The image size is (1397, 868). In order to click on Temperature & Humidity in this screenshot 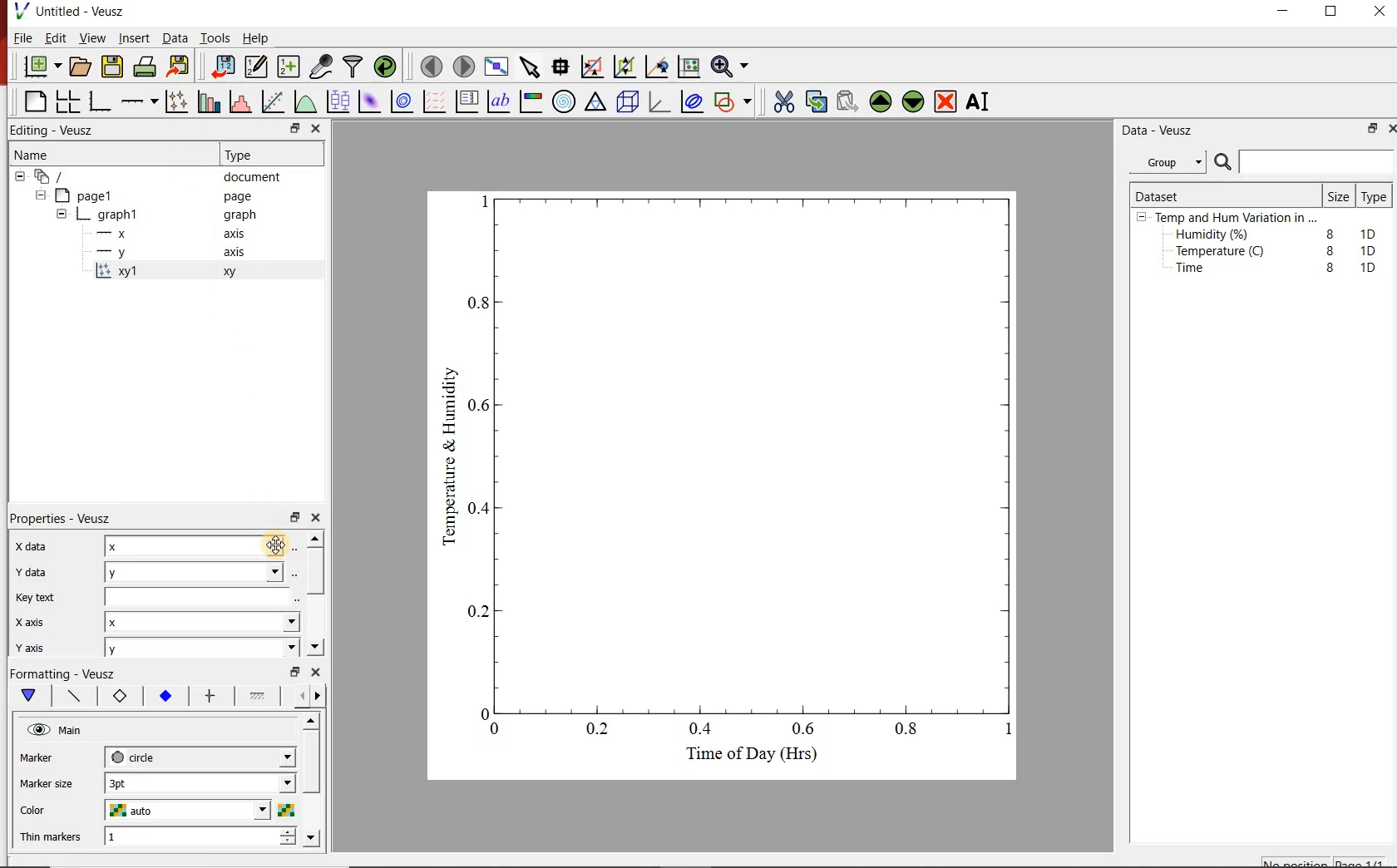, I will do `click(449, 451)`.